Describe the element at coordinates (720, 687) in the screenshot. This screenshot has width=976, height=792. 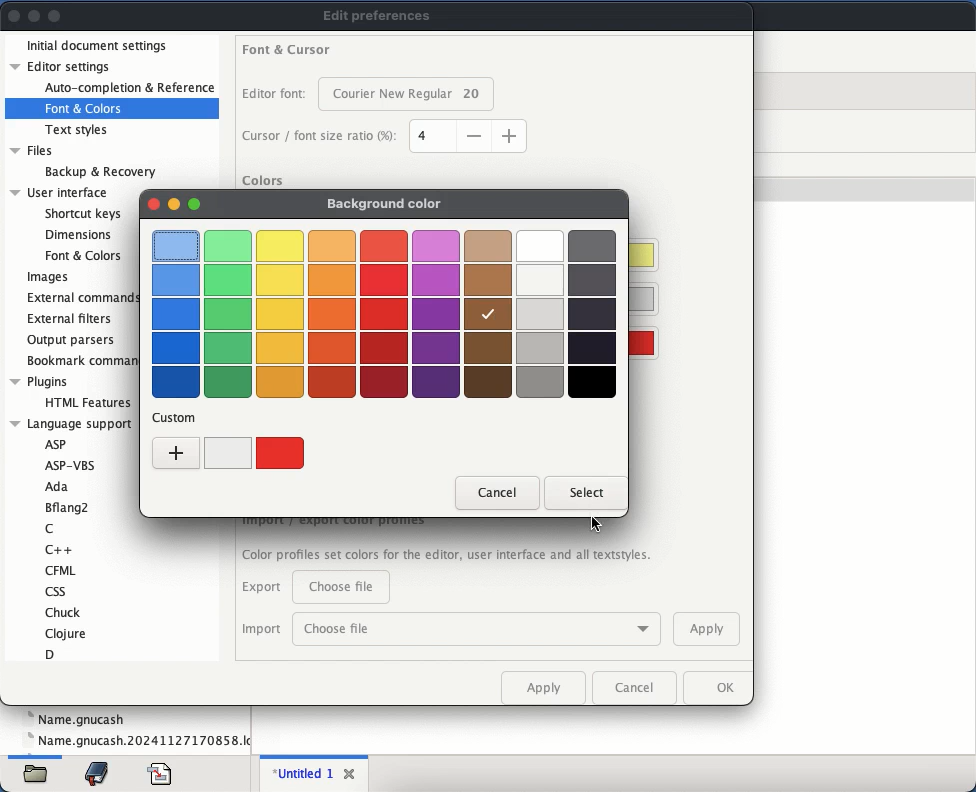
I see `ok` at that location.